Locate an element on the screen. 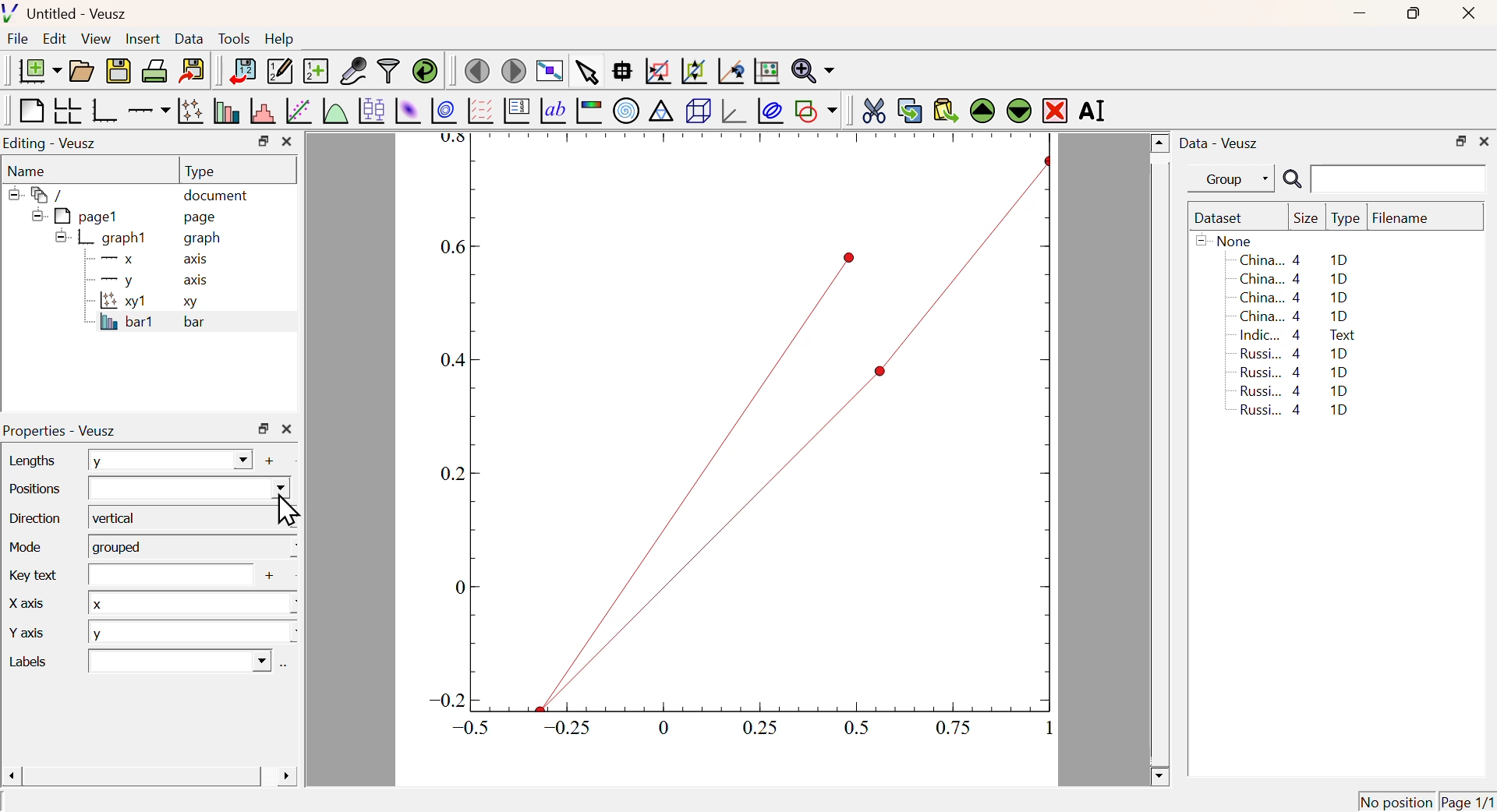  Text Label is located at coordinates (553, 111).